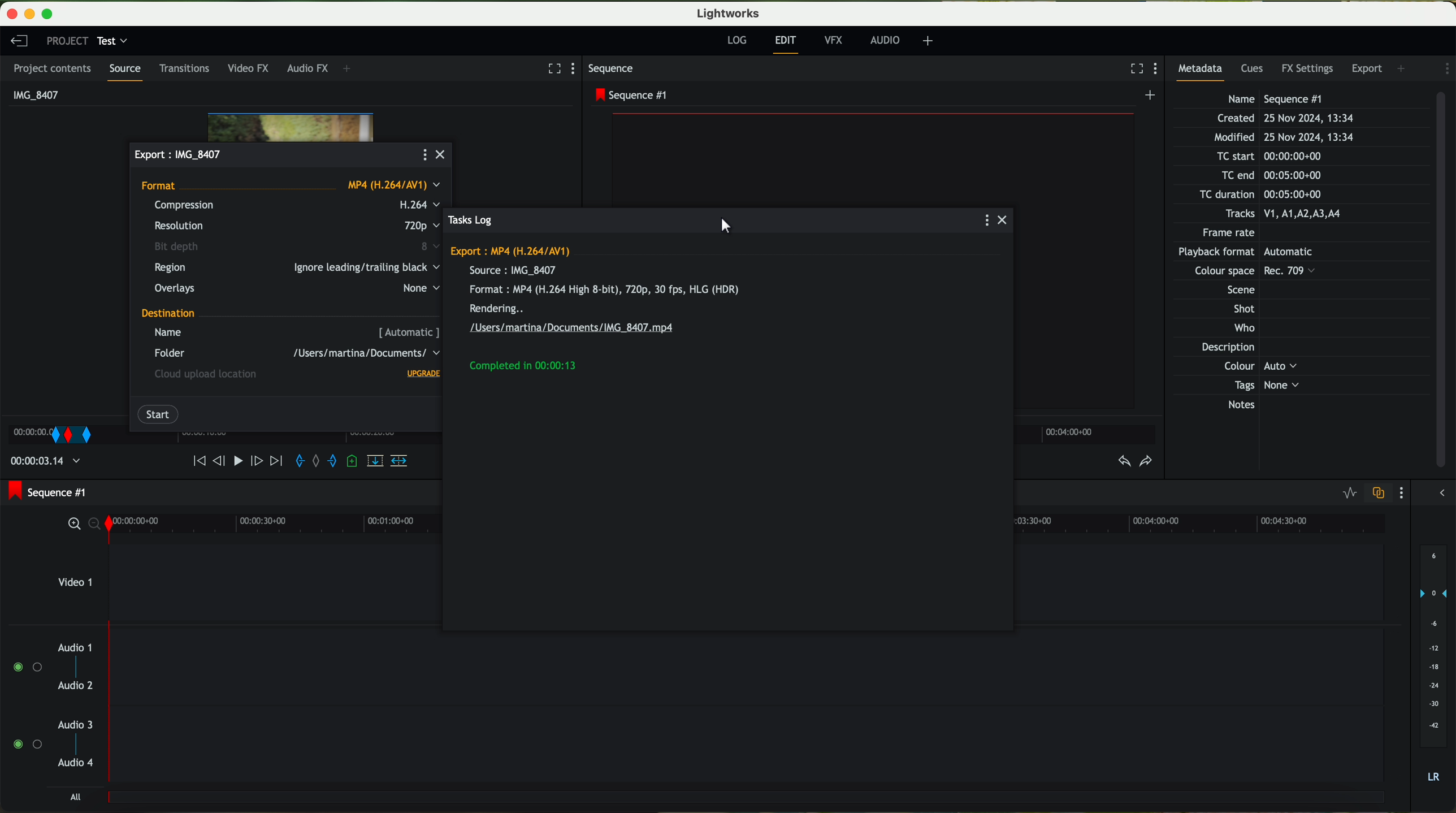 Image resolution: width=1456 pixels, height=813 pixels. Describe the element at coordinates (27, 12) in the screenshot. I see `minimize` at that location.